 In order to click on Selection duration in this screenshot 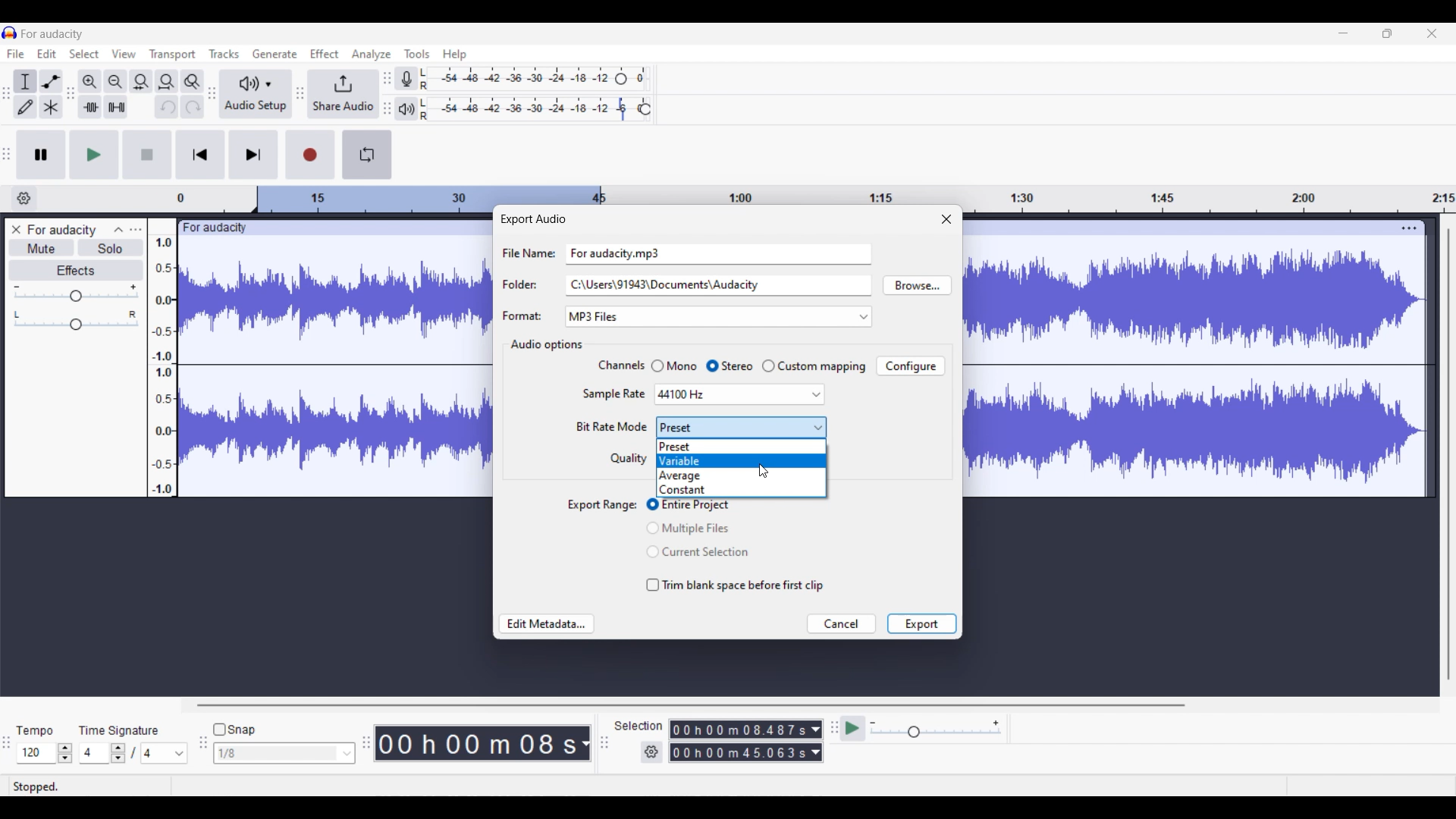, I will do `click(739, 730)`.